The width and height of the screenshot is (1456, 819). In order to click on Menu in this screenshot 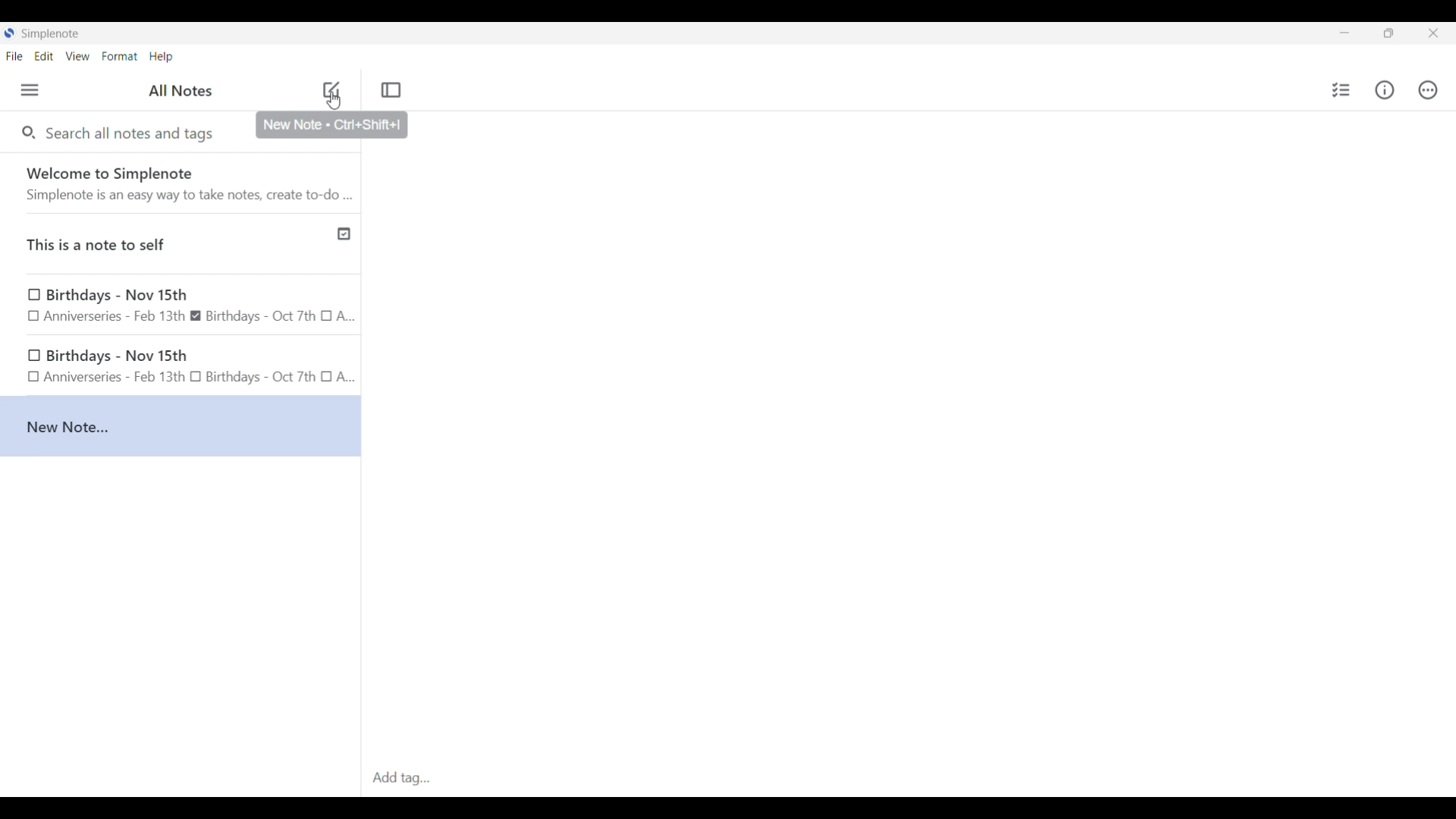, I will do `click(30, 89)`.